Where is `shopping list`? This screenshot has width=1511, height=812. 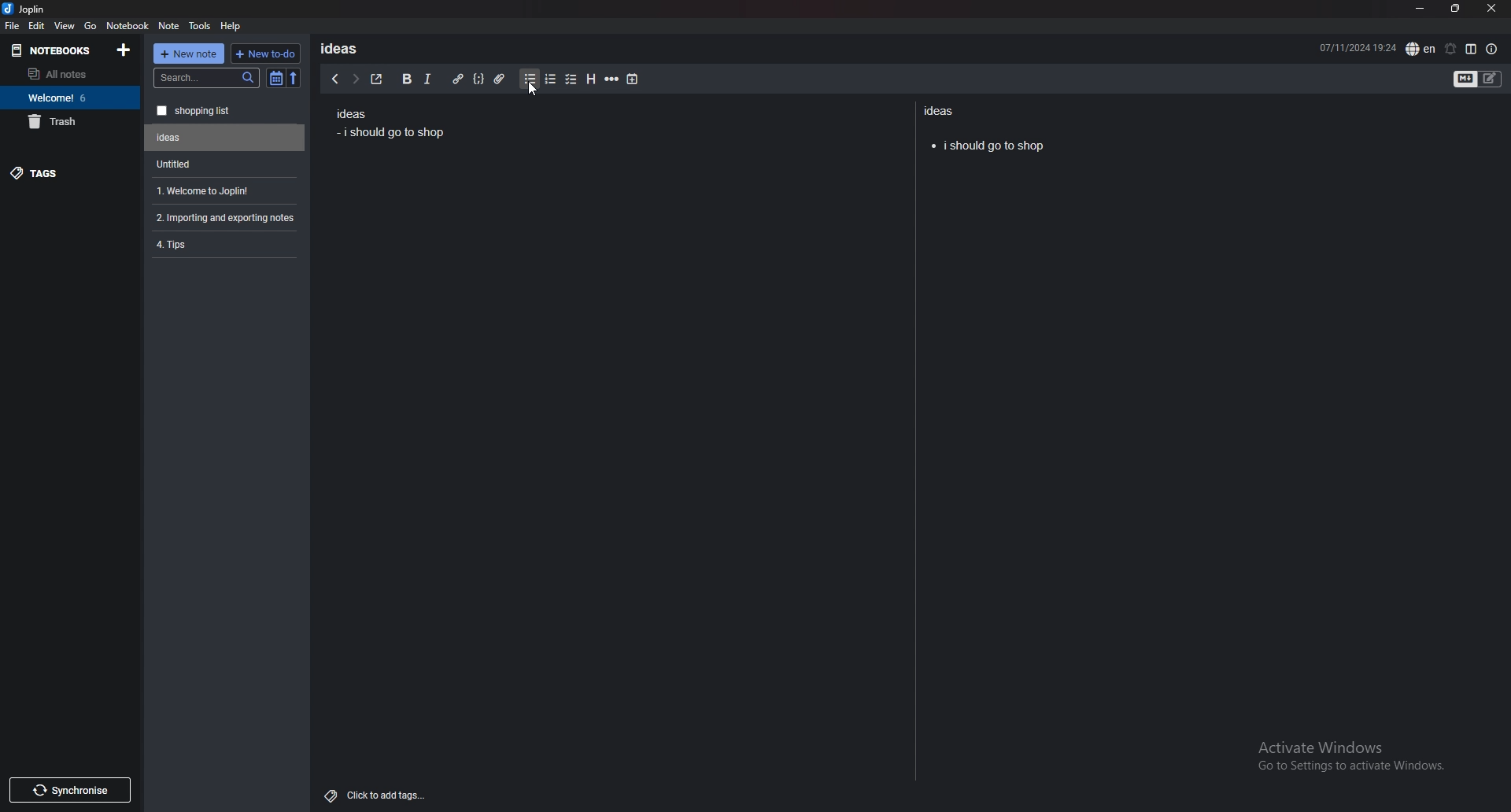
shopping list is located at coordinates (225, 111).